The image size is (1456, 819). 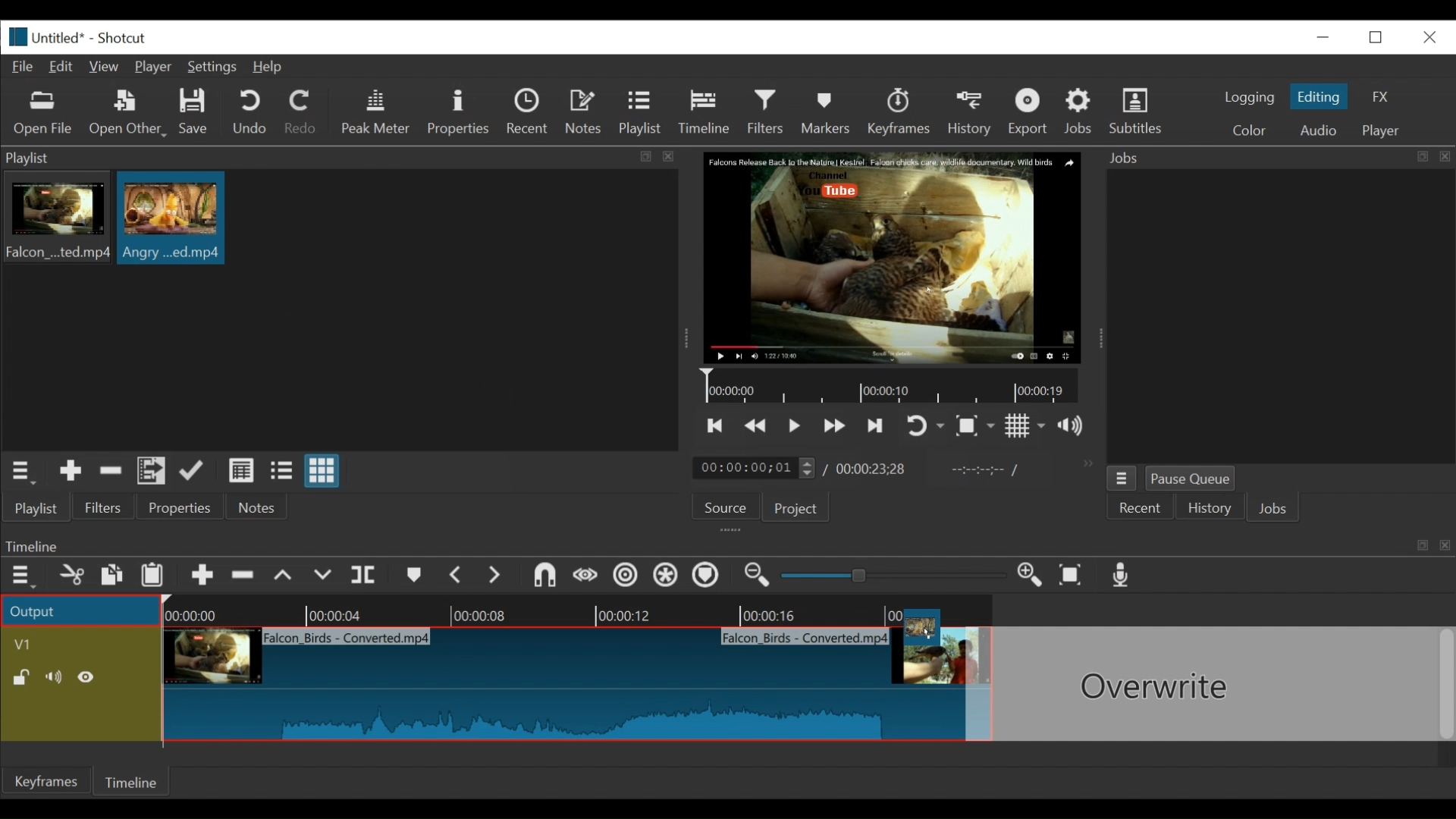 I want to click on Timeline, so click(x=581, y=610).